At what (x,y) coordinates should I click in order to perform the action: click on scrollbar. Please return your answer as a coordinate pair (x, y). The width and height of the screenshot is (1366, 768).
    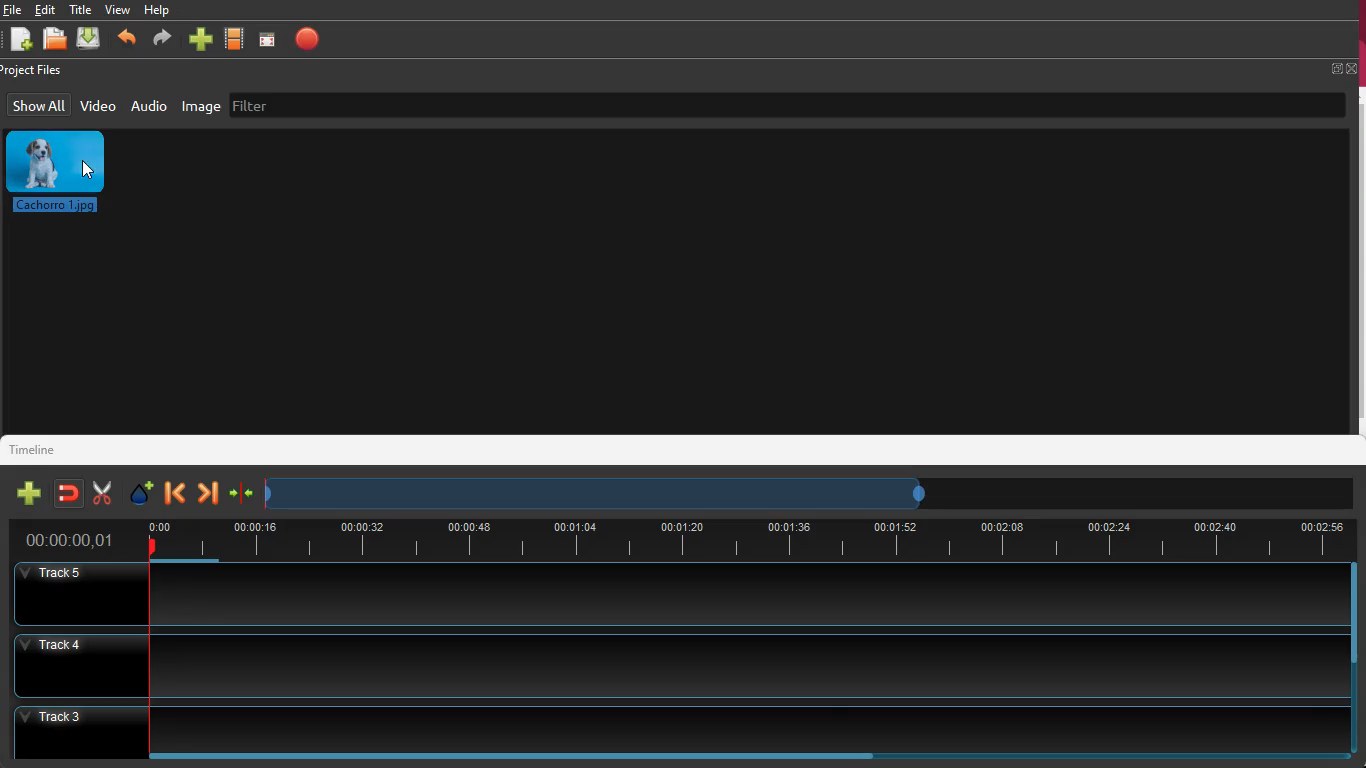
    Looking at the image, I should click on (1348, 660).